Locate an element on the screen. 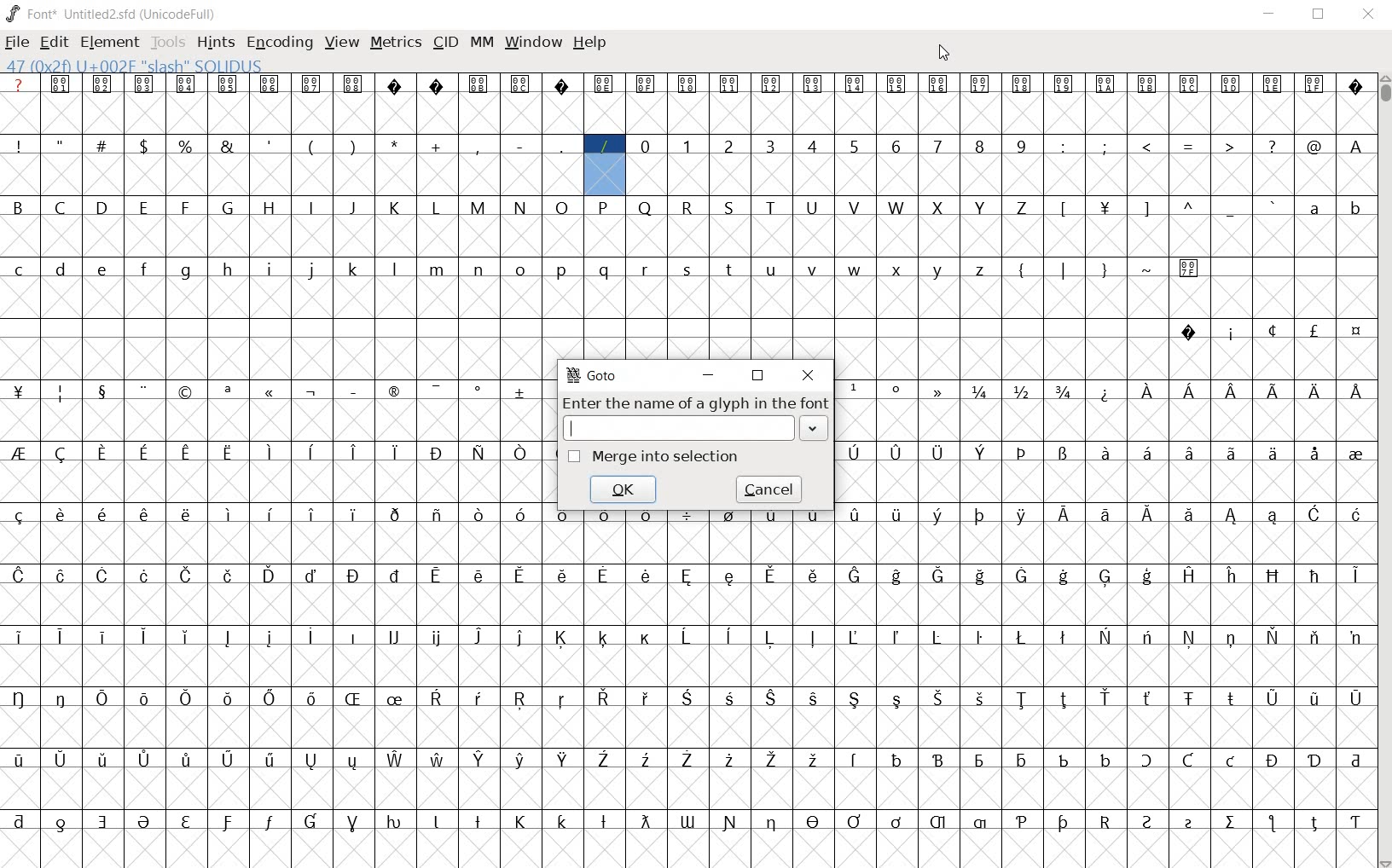 The width and height of the screenshot is (1392, 868). ok is located at coordinates (622, 489).